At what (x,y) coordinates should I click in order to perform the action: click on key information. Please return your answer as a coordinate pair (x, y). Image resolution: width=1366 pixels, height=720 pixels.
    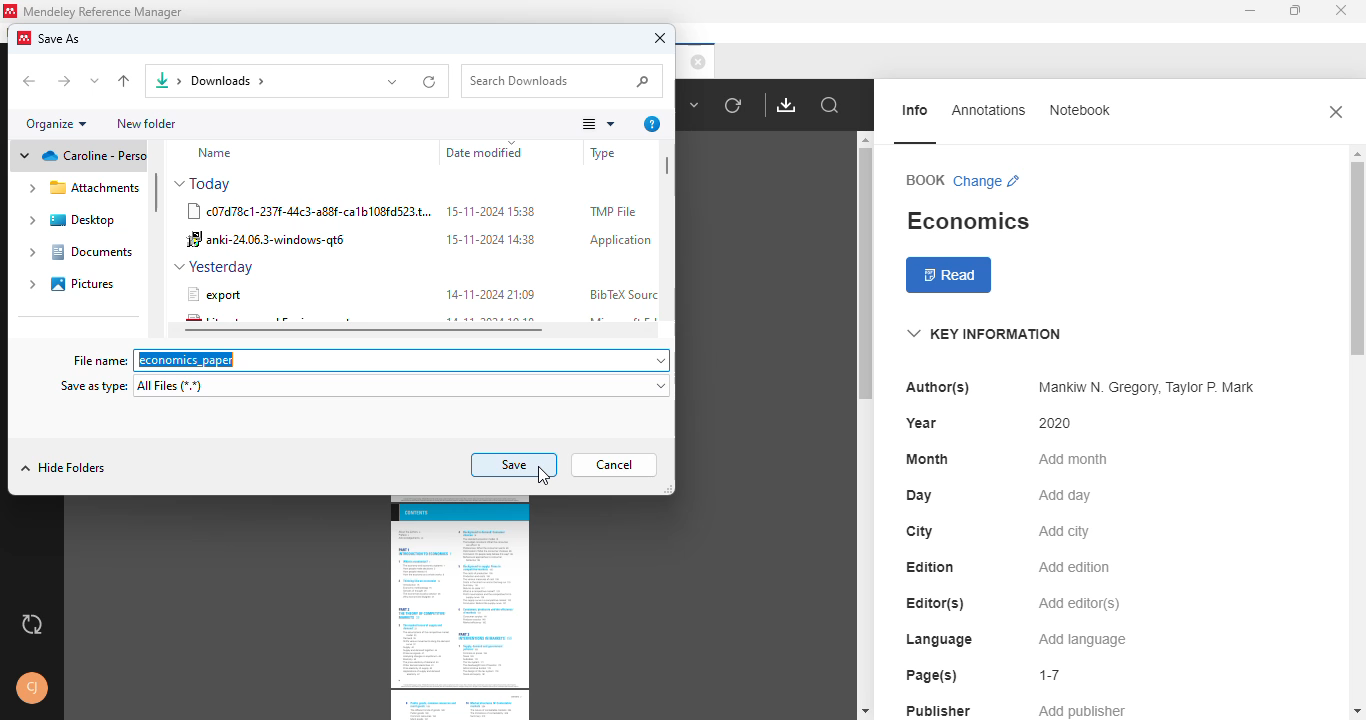
    Looking at the image, I should click on (983, 334).